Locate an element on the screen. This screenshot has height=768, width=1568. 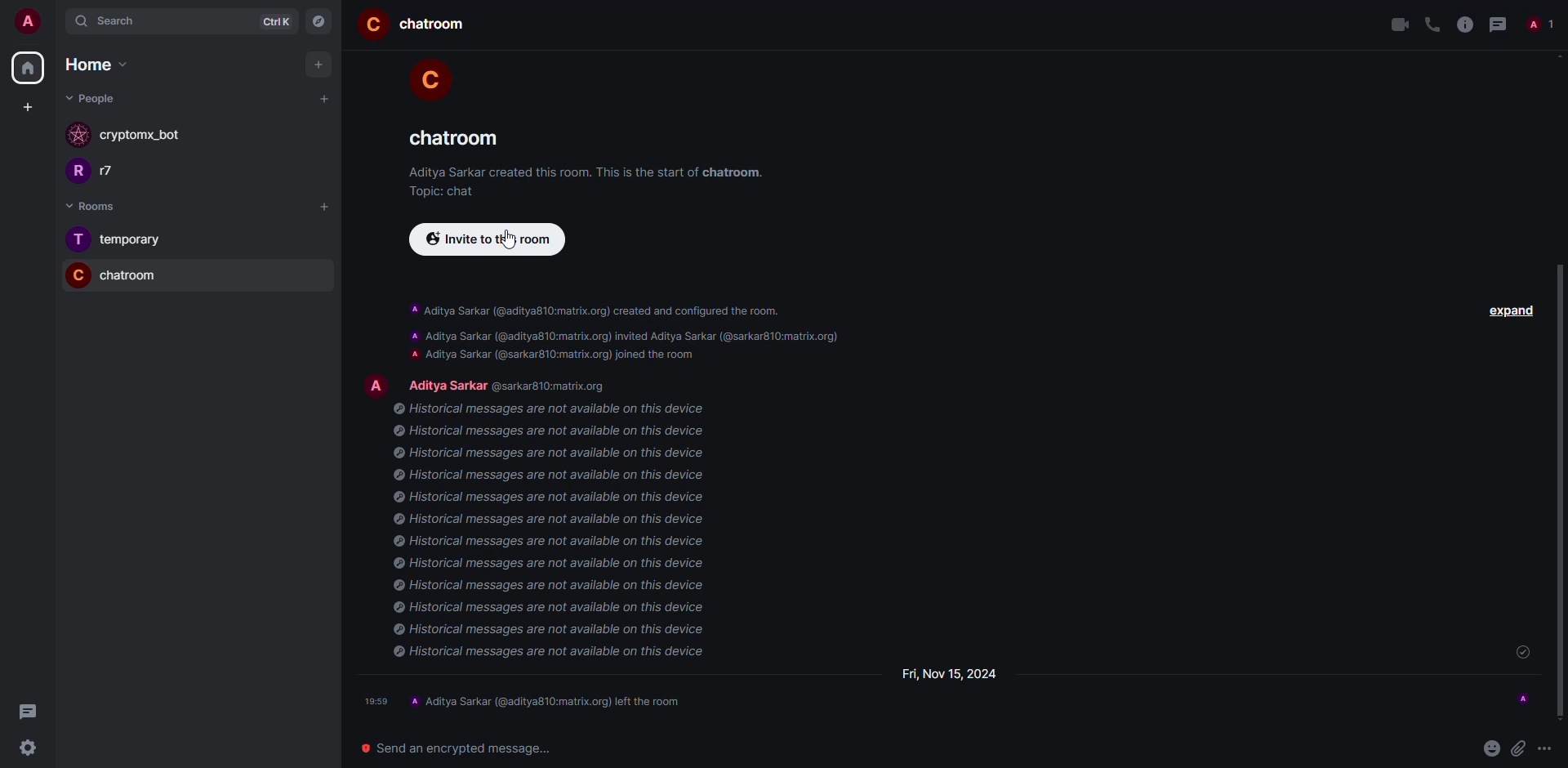
invite to this room is located at coordinates (483, 239).